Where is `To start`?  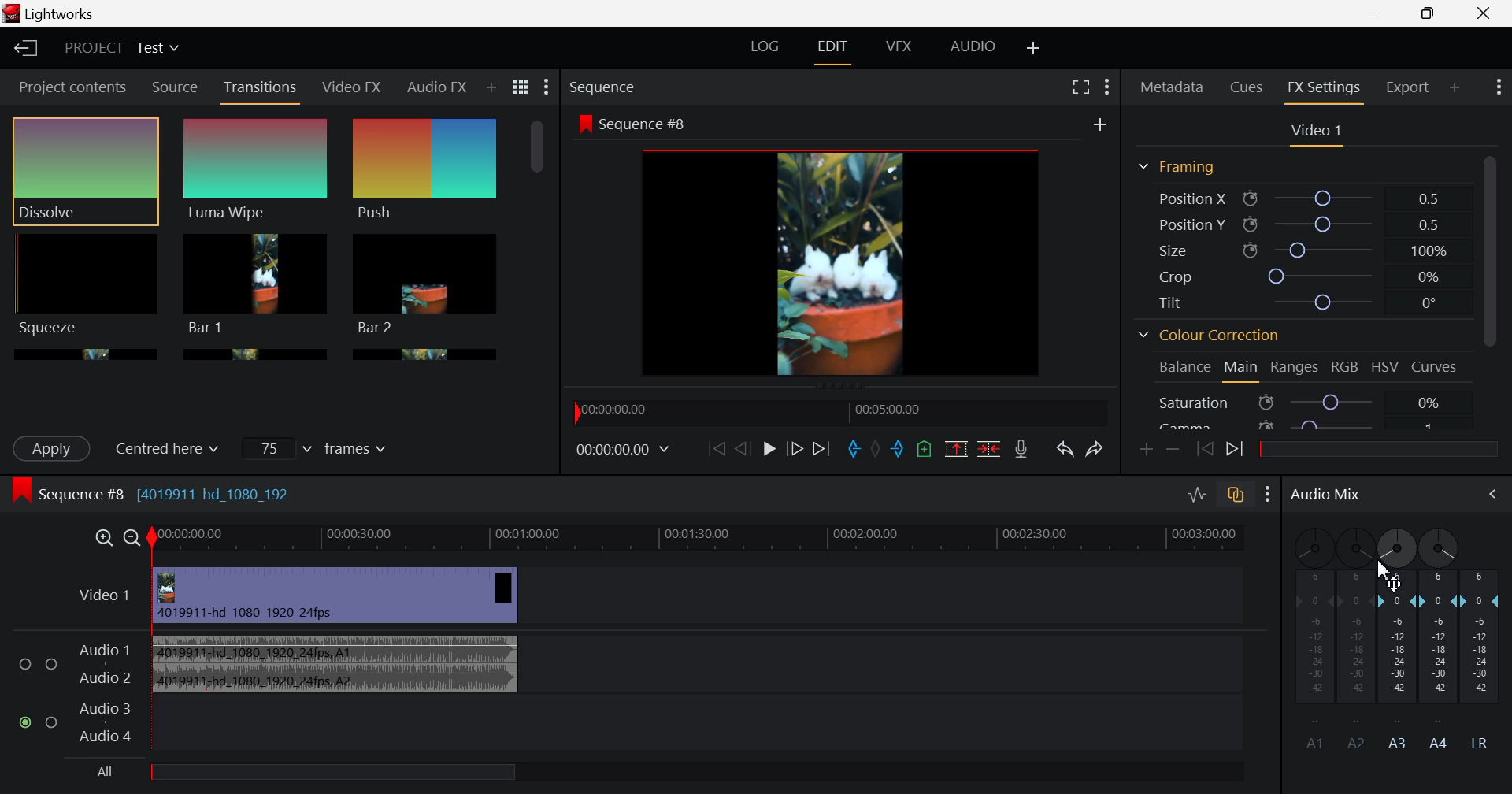
To start is located at coordinates (715, 449).